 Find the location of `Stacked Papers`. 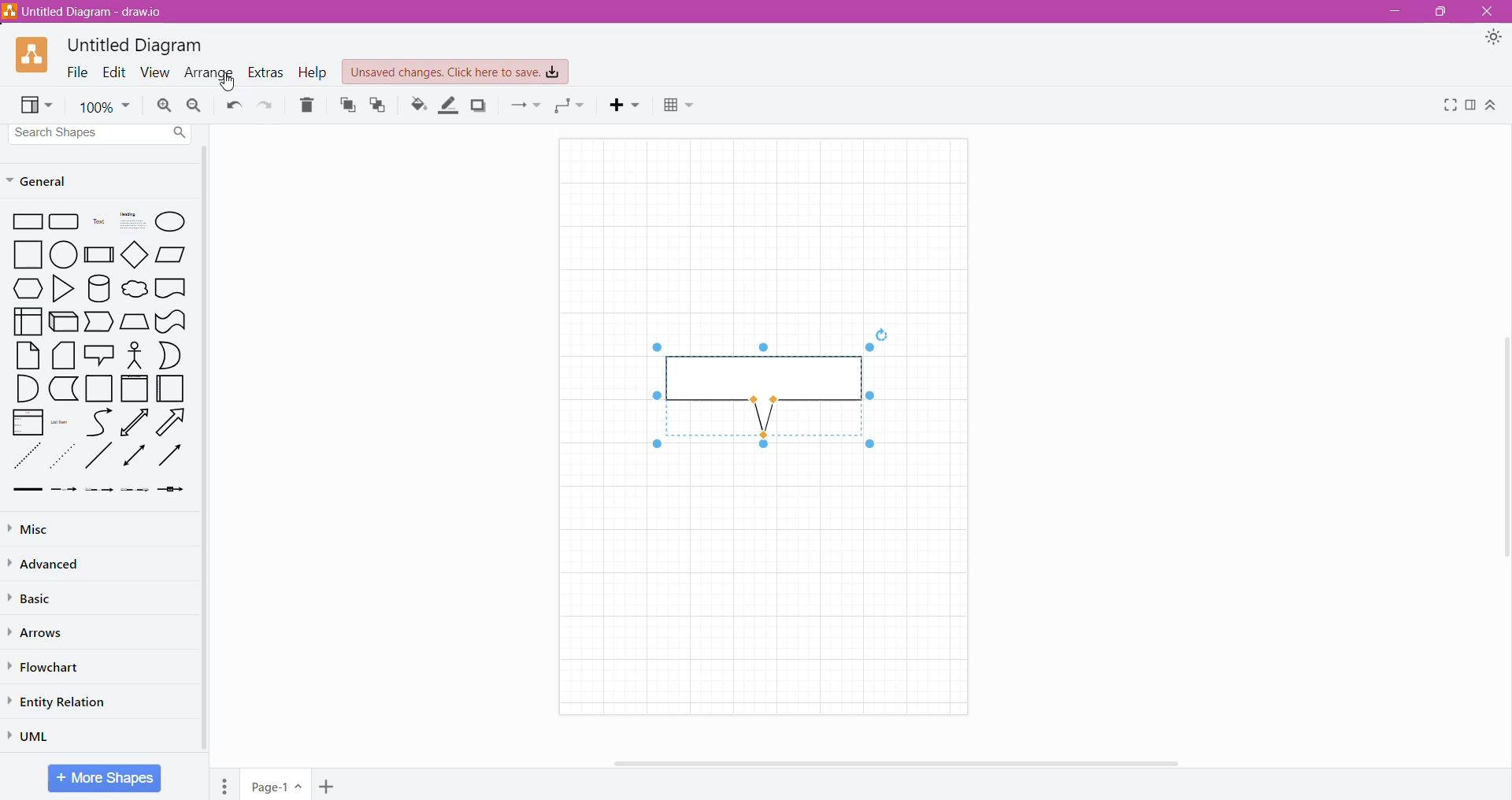

Stacked Papers is located at coordinates (64, 356).